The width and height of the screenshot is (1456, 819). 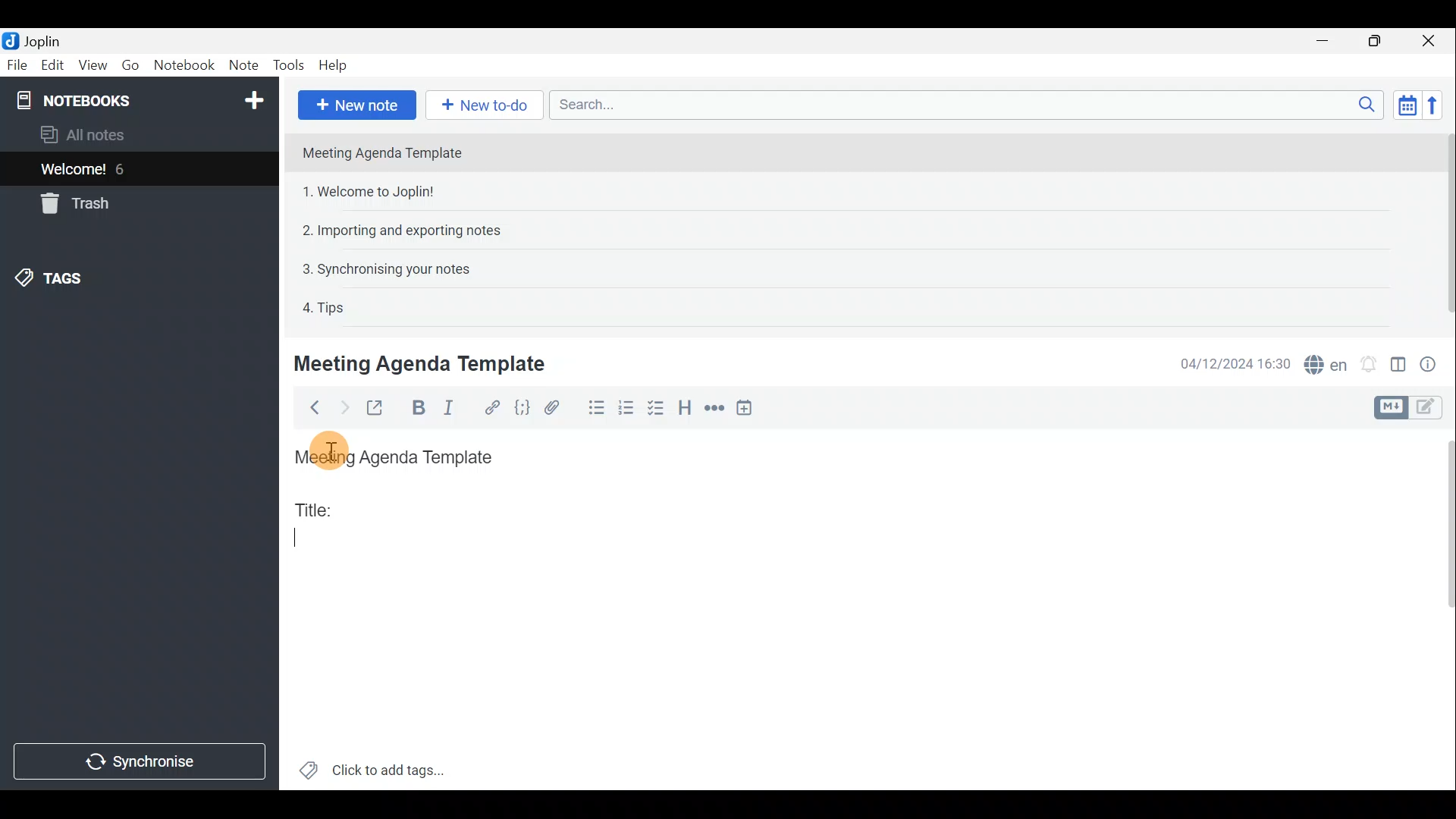 I want to click on Notebooks, so click(x=142, y=99).